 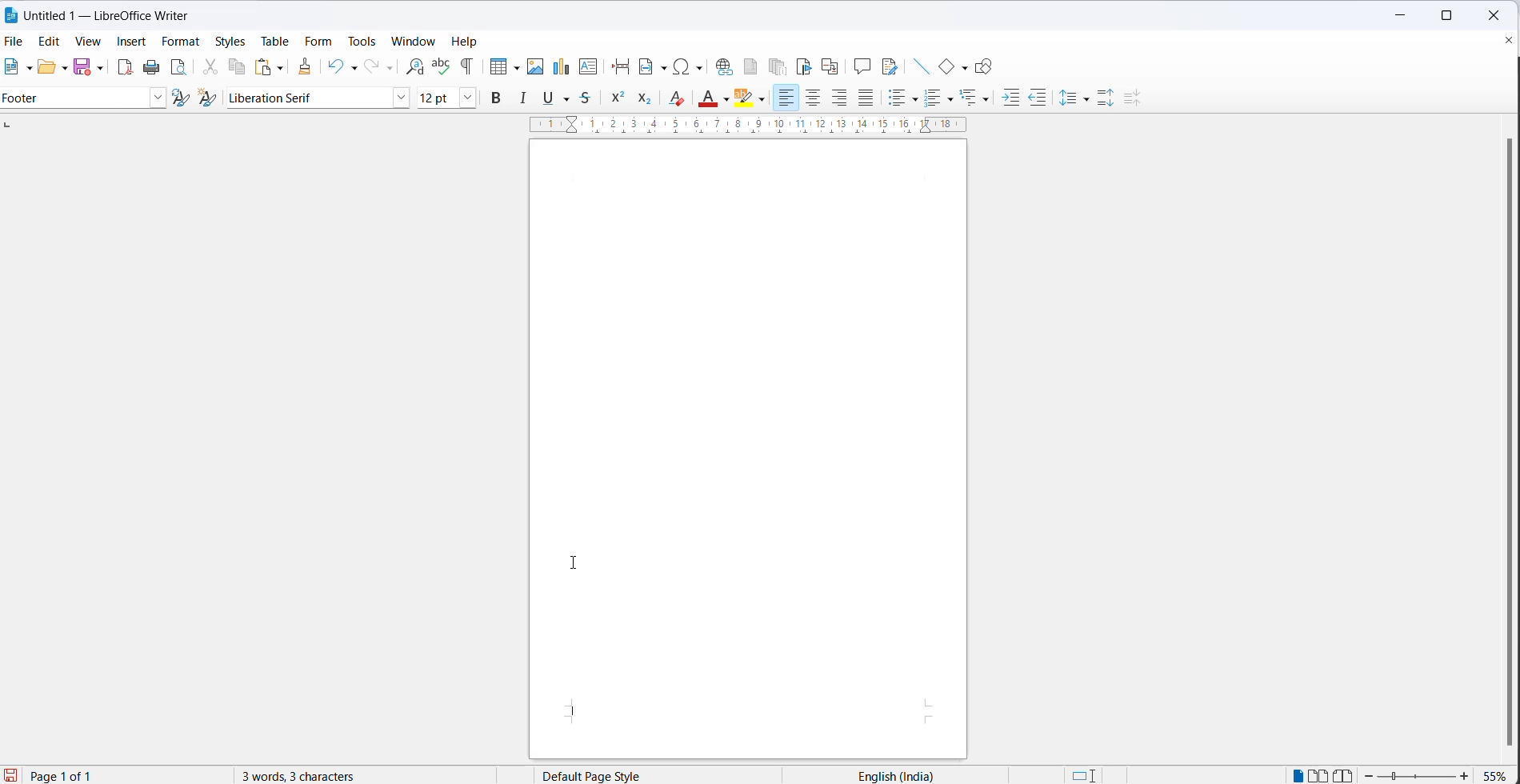 I want to click on style options, so click(x=158, y=99).